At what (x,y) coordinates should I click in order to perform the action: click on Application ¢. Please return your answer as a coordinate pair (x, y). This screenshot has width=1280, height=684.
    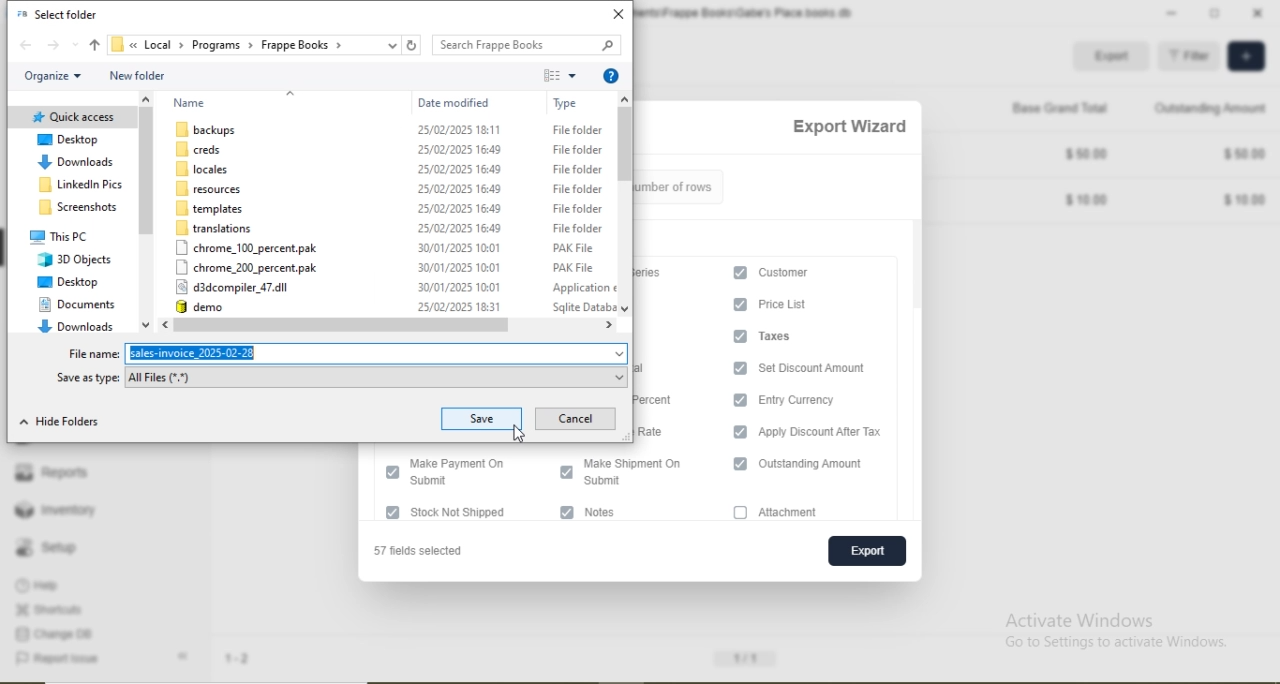
    Looking at the image, I should click on (583, 289).